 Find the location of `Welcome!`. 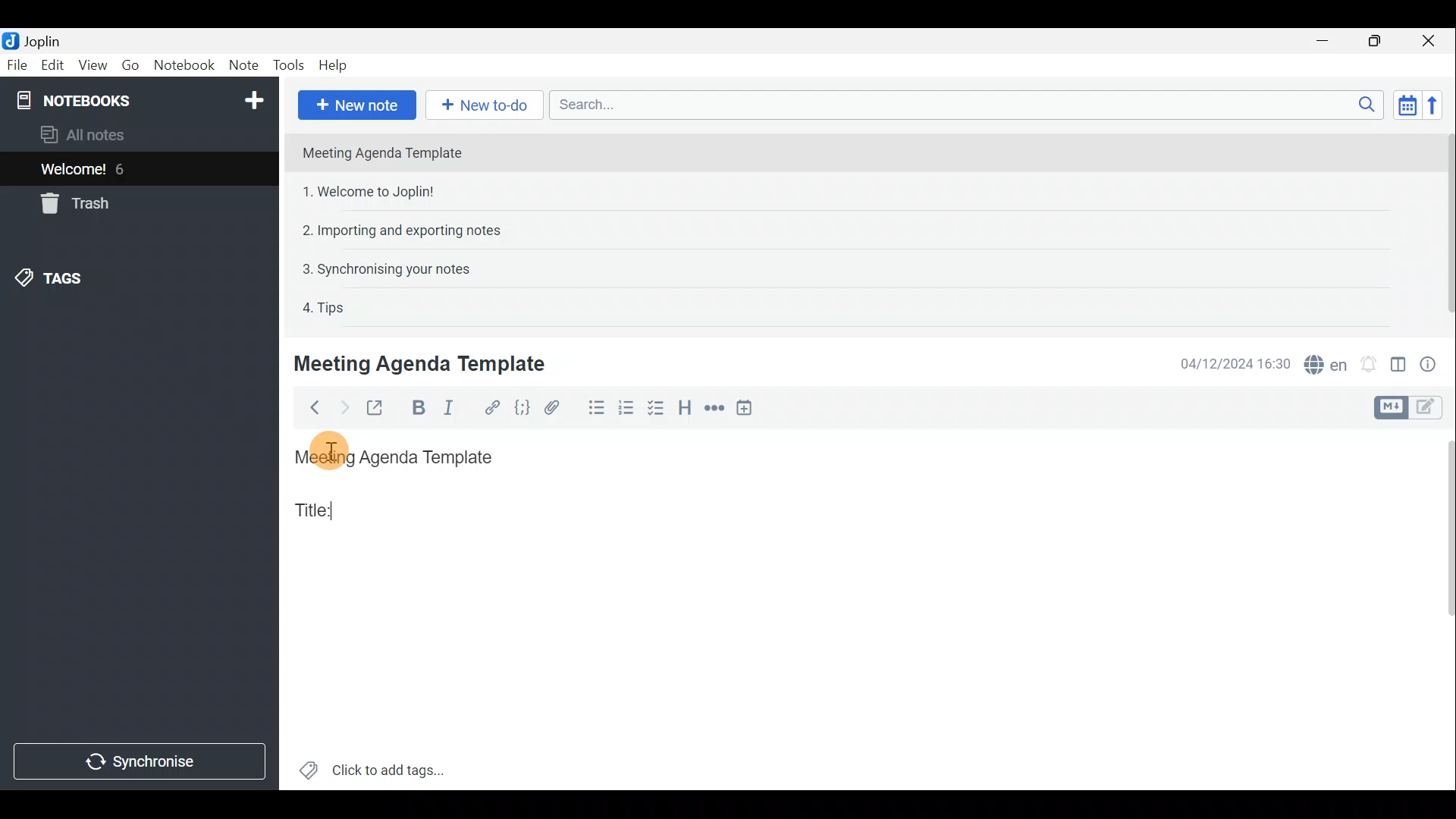

Welcome! is located at coordinates (74, 171).